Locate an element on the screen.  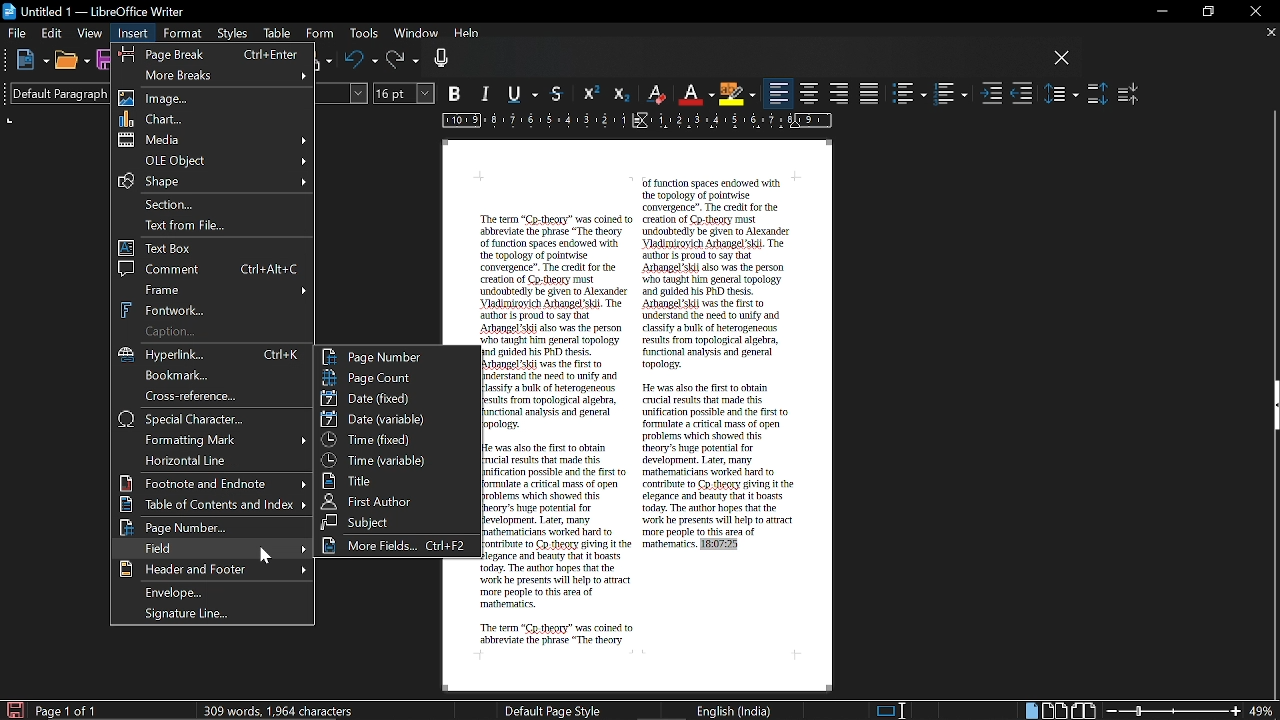
Zoom change is located at coordinates (1174, 711).